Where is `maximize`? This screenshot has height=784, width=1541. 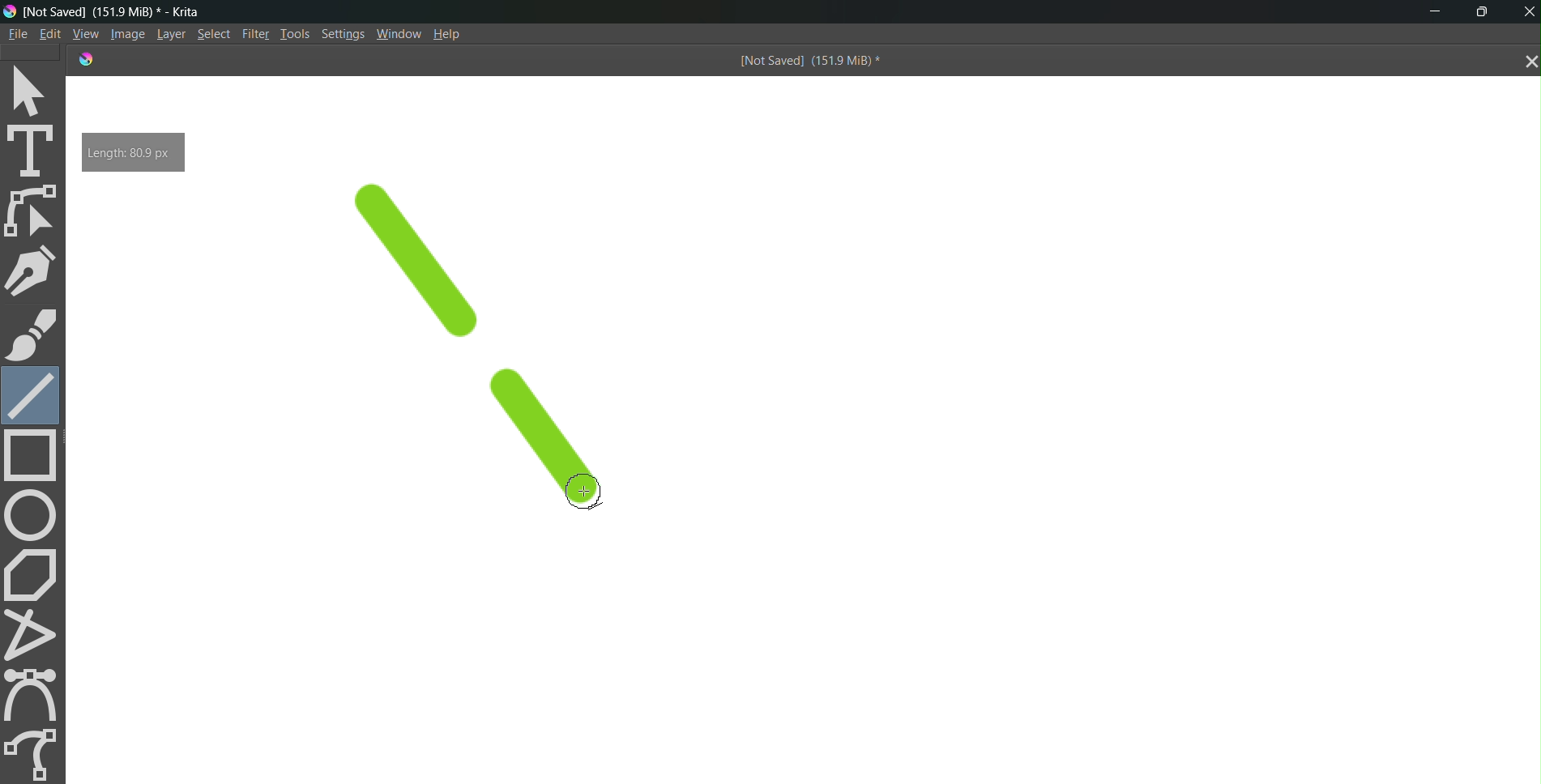
maximize is located at coordinates (1487, 10).